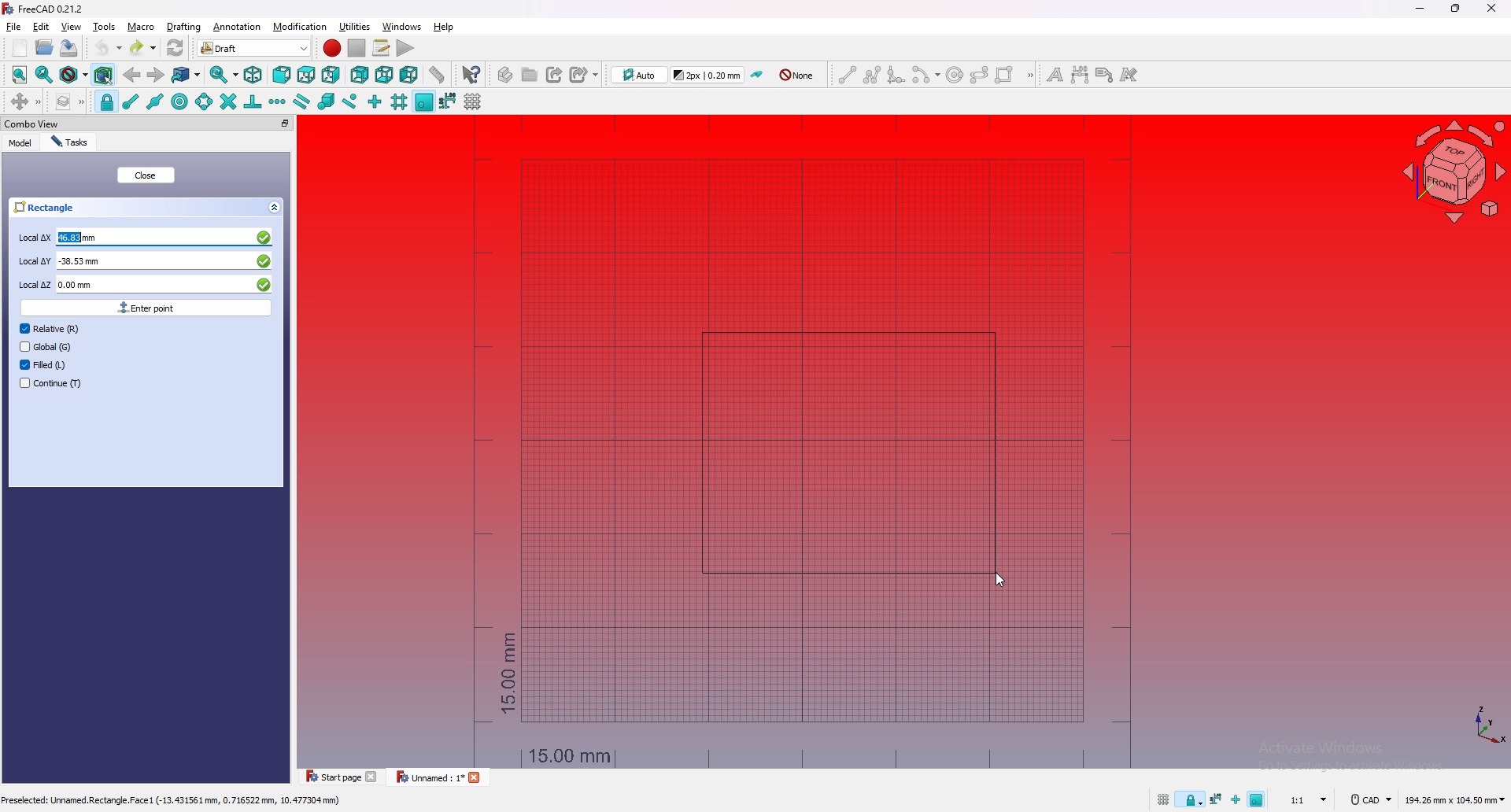 Image resolution: width=1511 pixels, height=812 pixels. Describe the element at coordinates (73, 76) in the screenshot. I see `draw style` at that location.